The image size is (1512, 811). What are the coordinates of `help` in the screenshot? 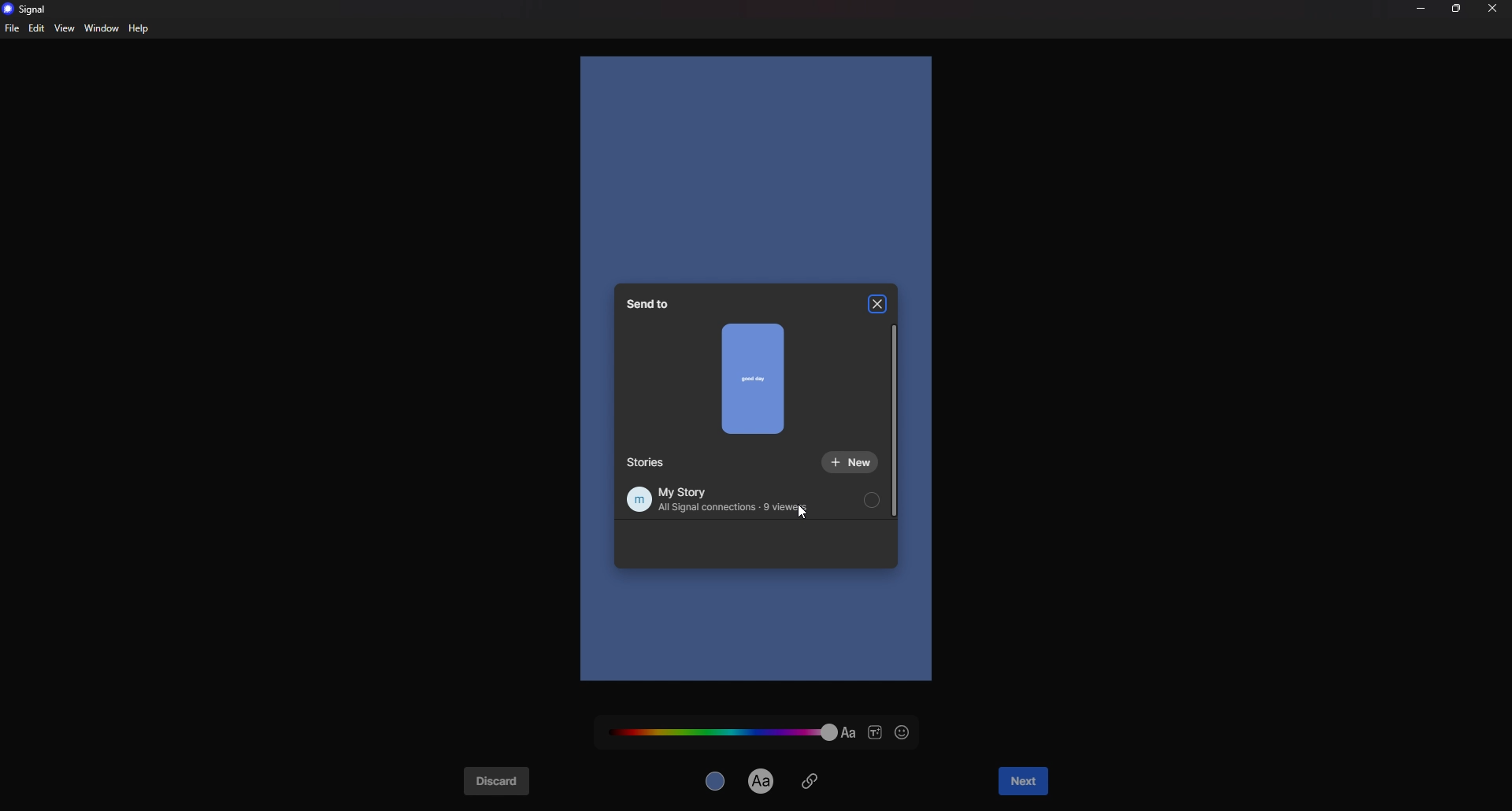 It's located at (140, 28).